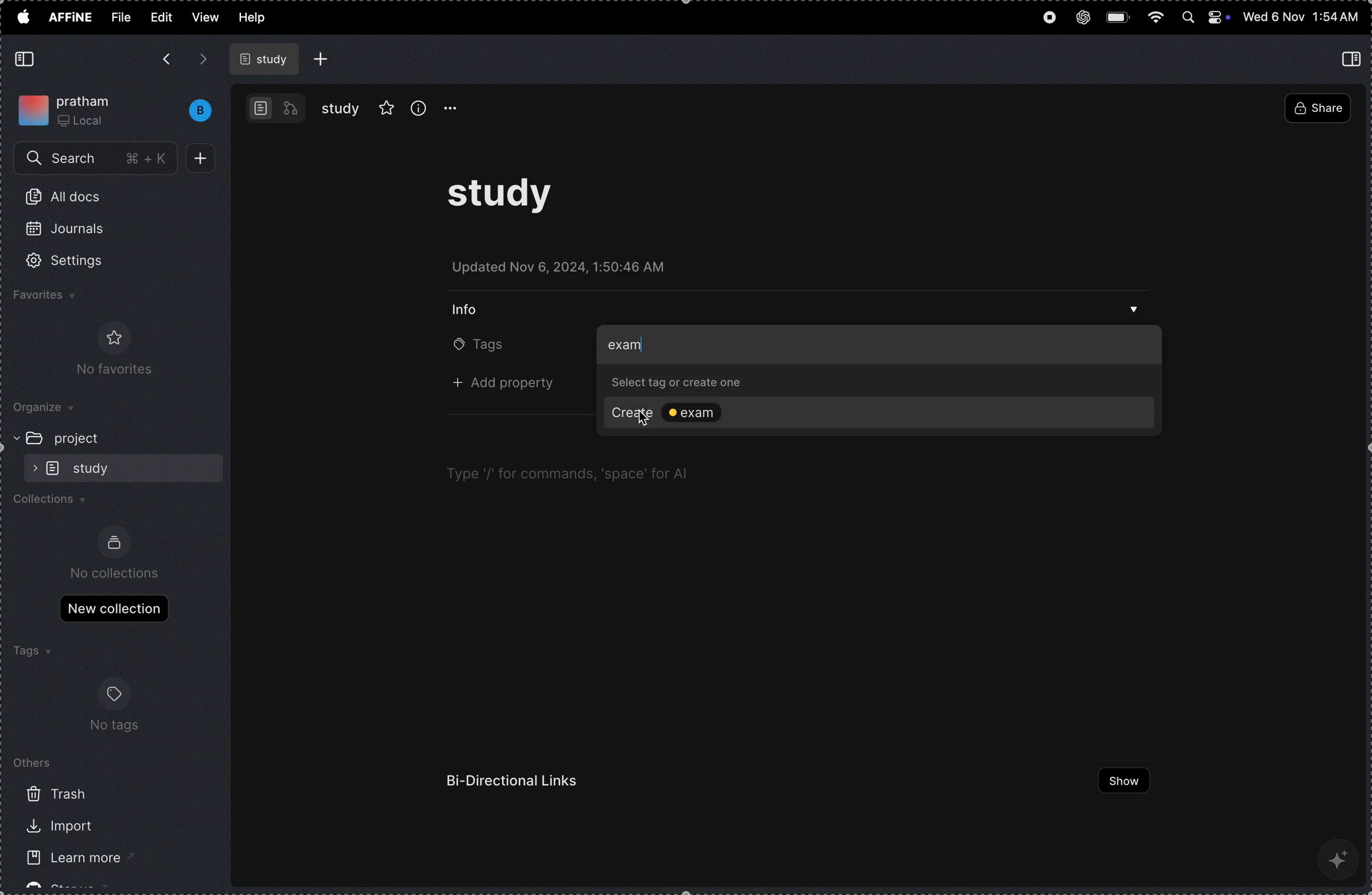  I want to click on select tag or create one, so click(687, 385).